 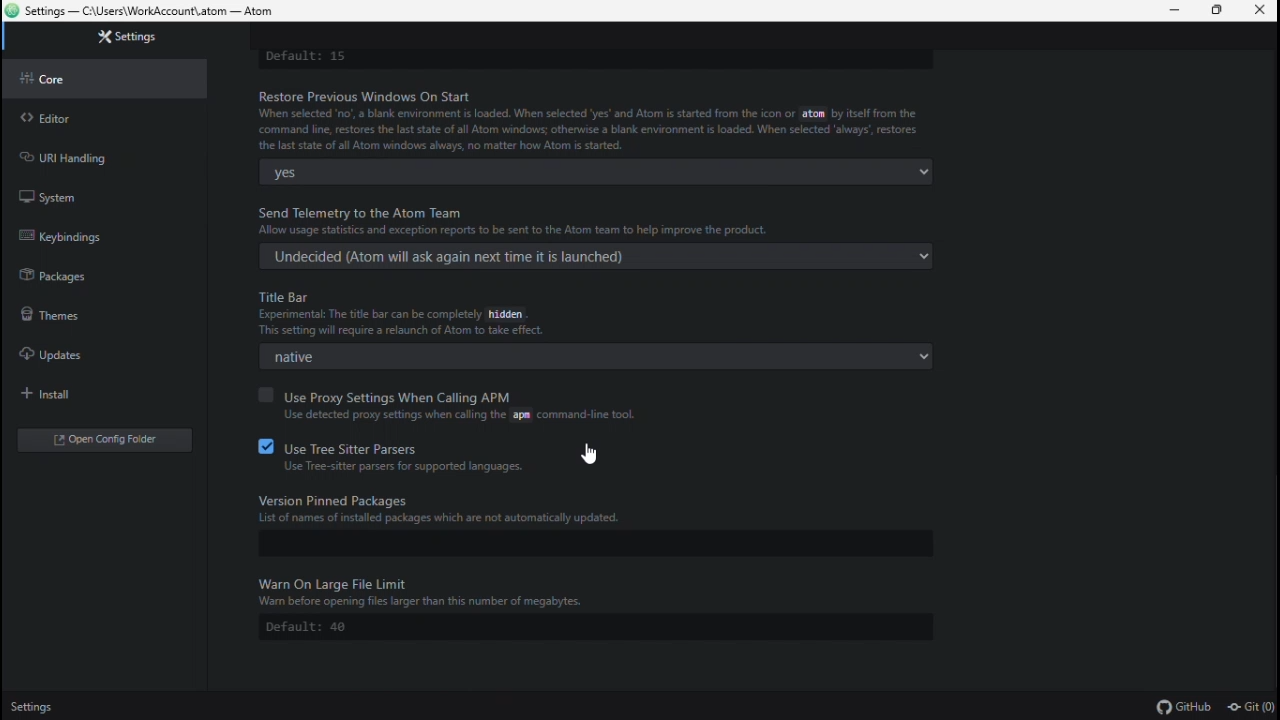 I want to click on updates, so click(x=94, y=357).